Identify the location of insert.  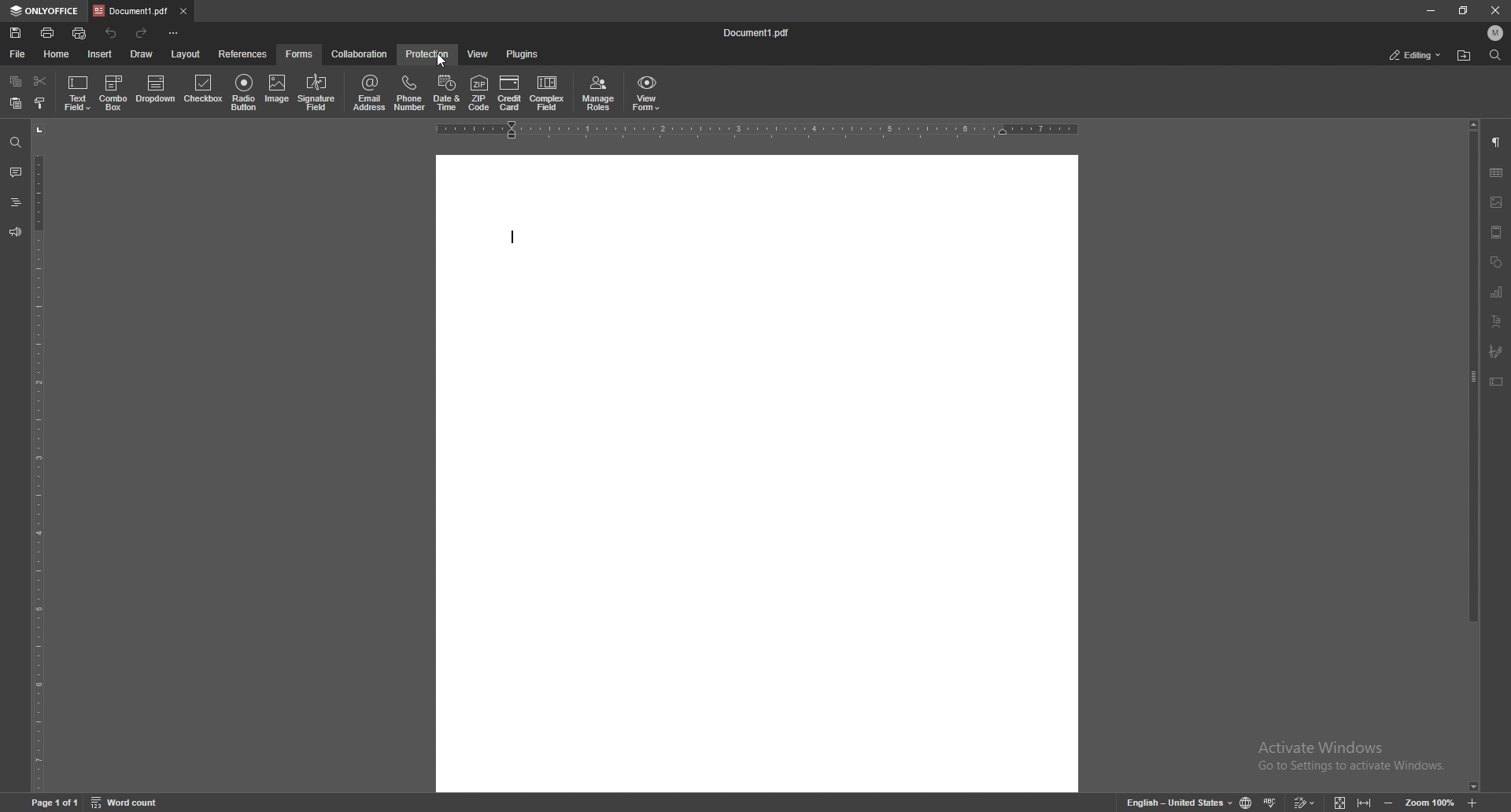
(99, 55).